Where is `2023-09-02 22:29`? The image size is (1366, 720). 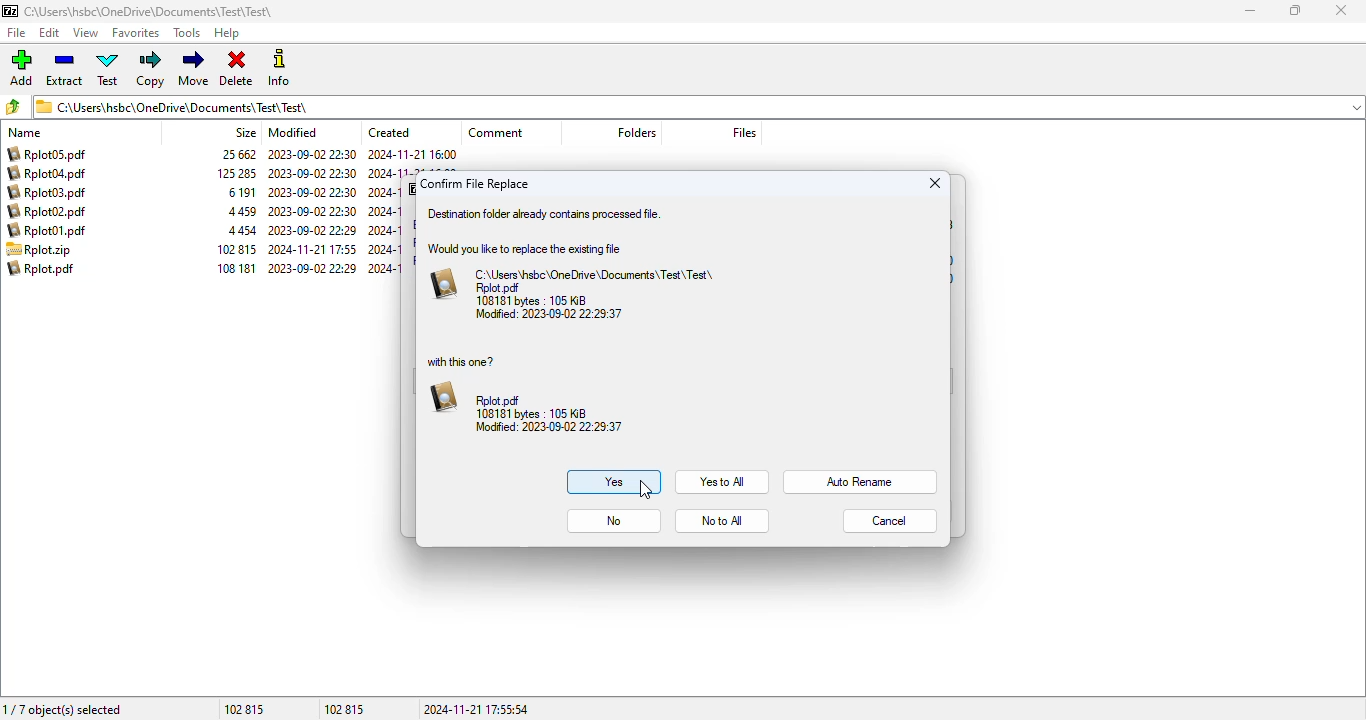
2023-09-02 22:29 is located at coordinates (313, 268).